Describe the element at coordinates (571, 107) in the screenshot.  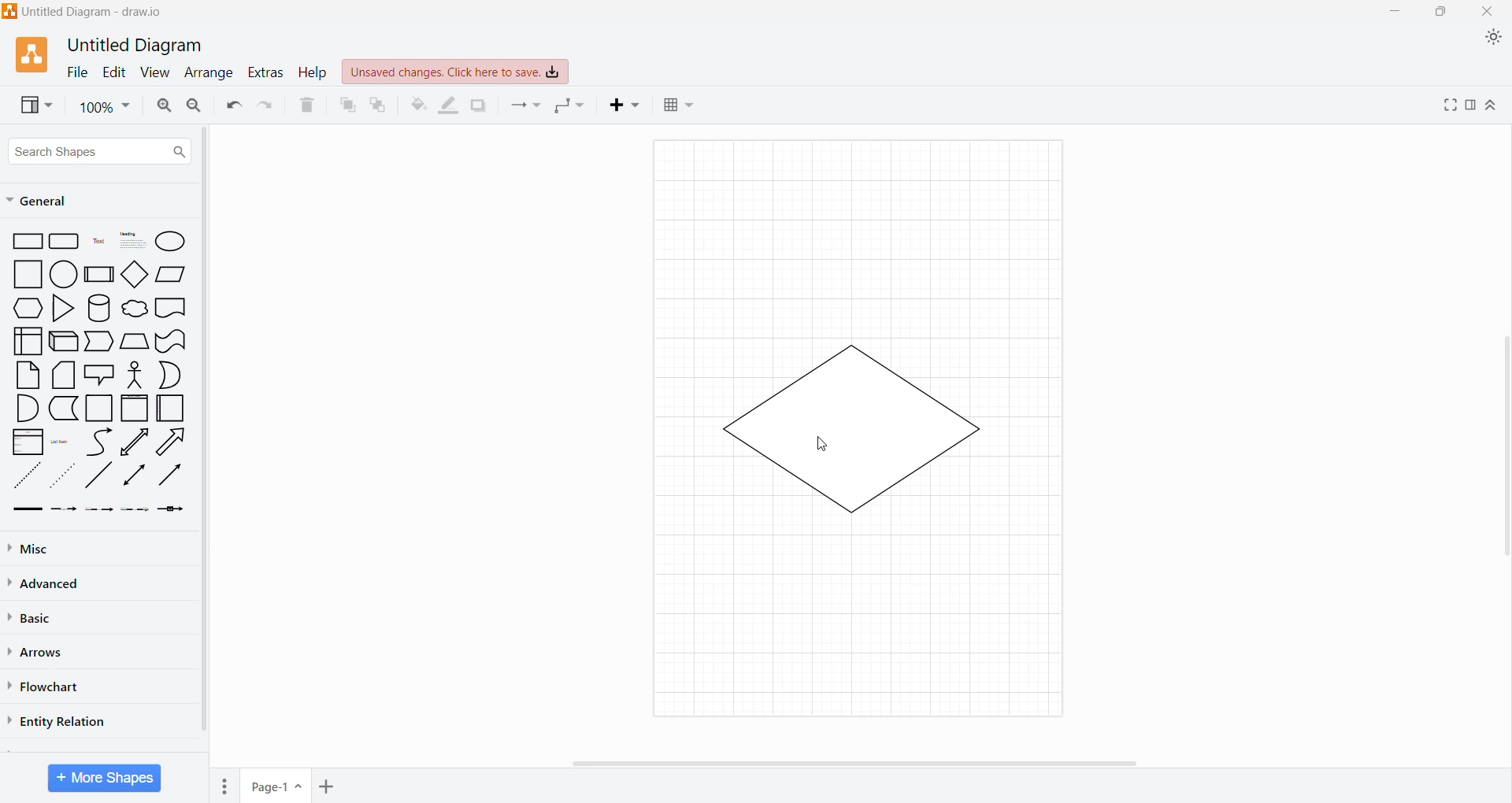
I see `Waypoints` at that location.